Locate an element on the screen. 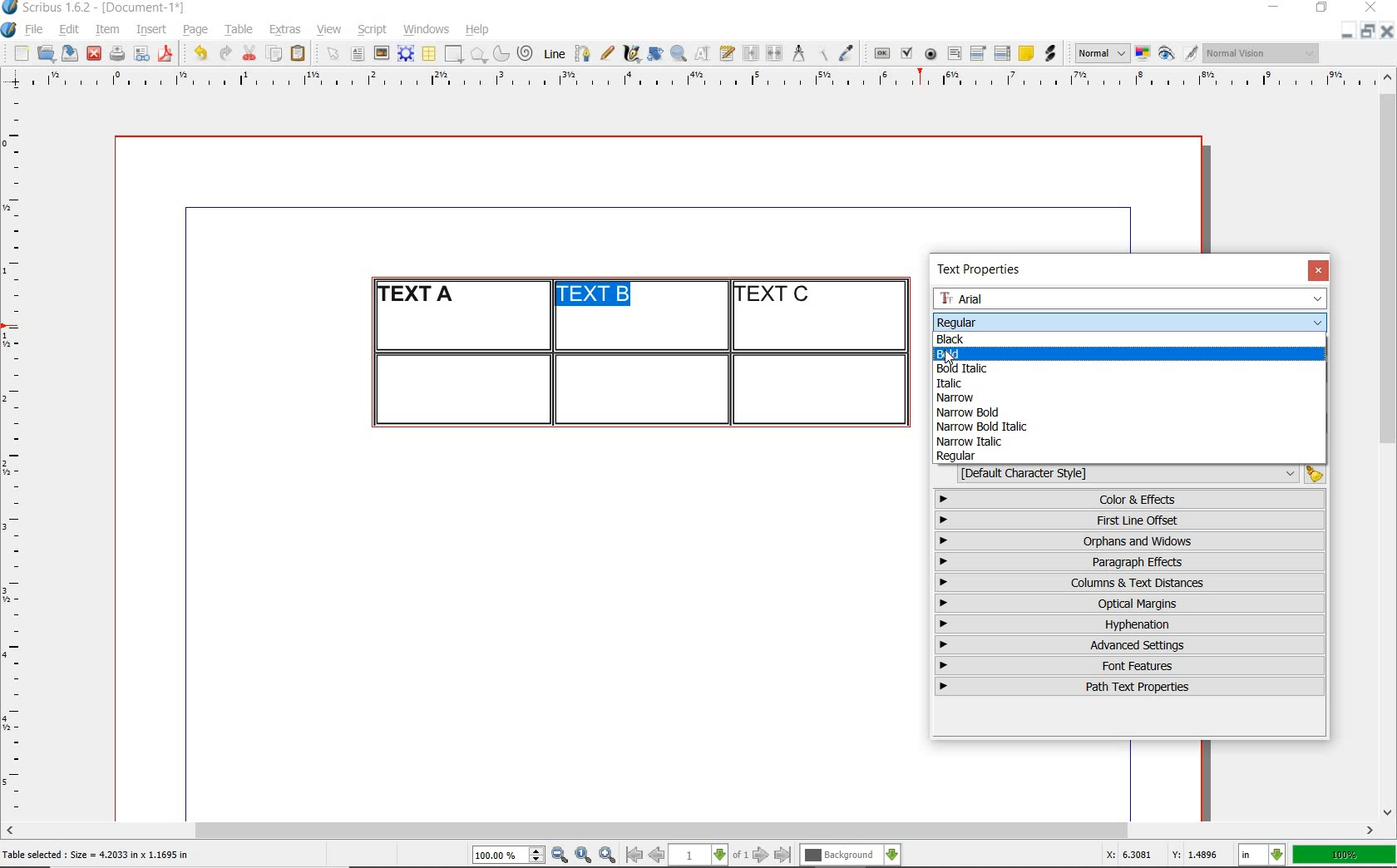  select current page level is located at coordinates (708, 855).